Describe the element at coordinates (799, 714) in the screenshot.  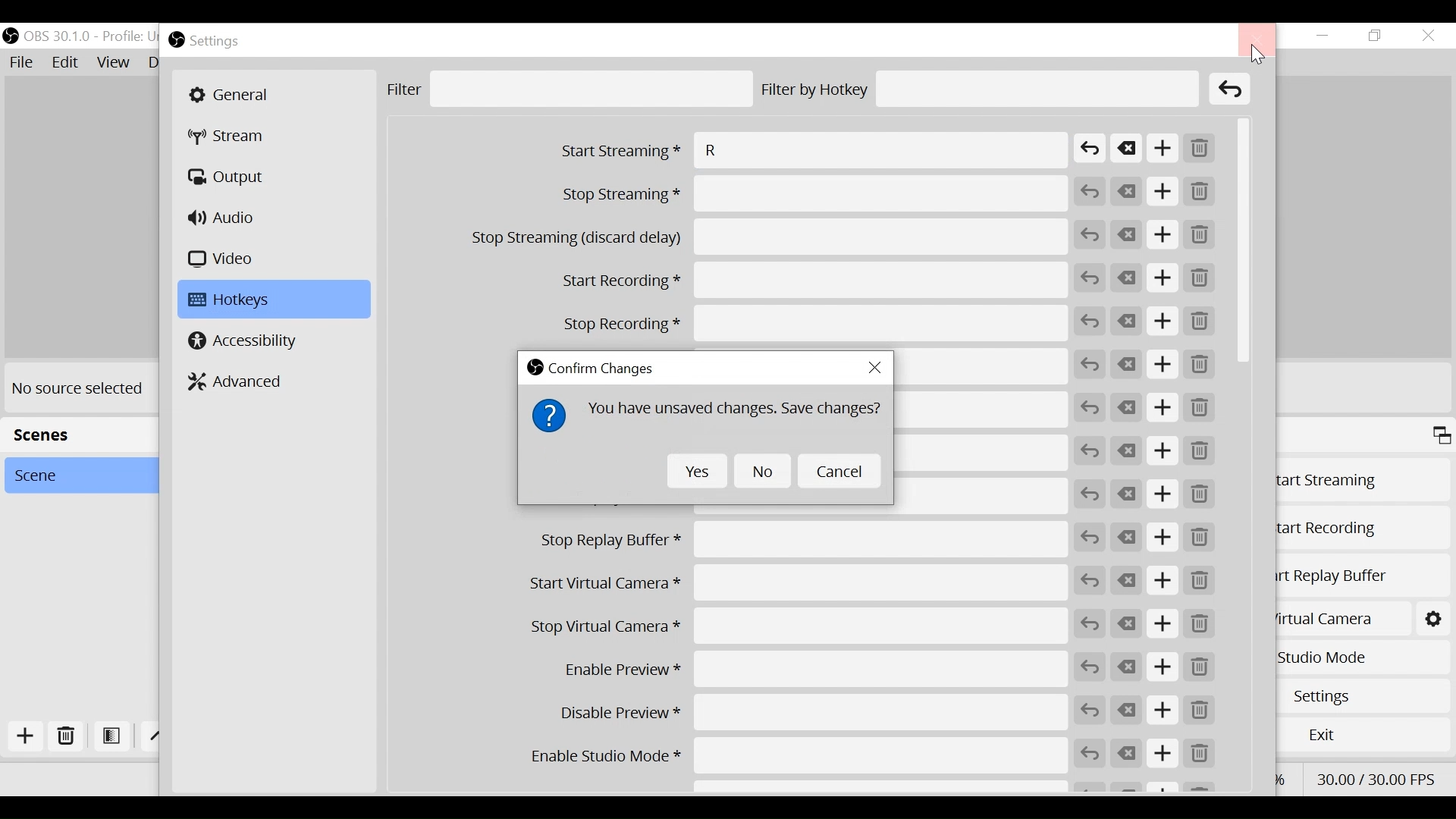
I see `Disable Preview` at that location.